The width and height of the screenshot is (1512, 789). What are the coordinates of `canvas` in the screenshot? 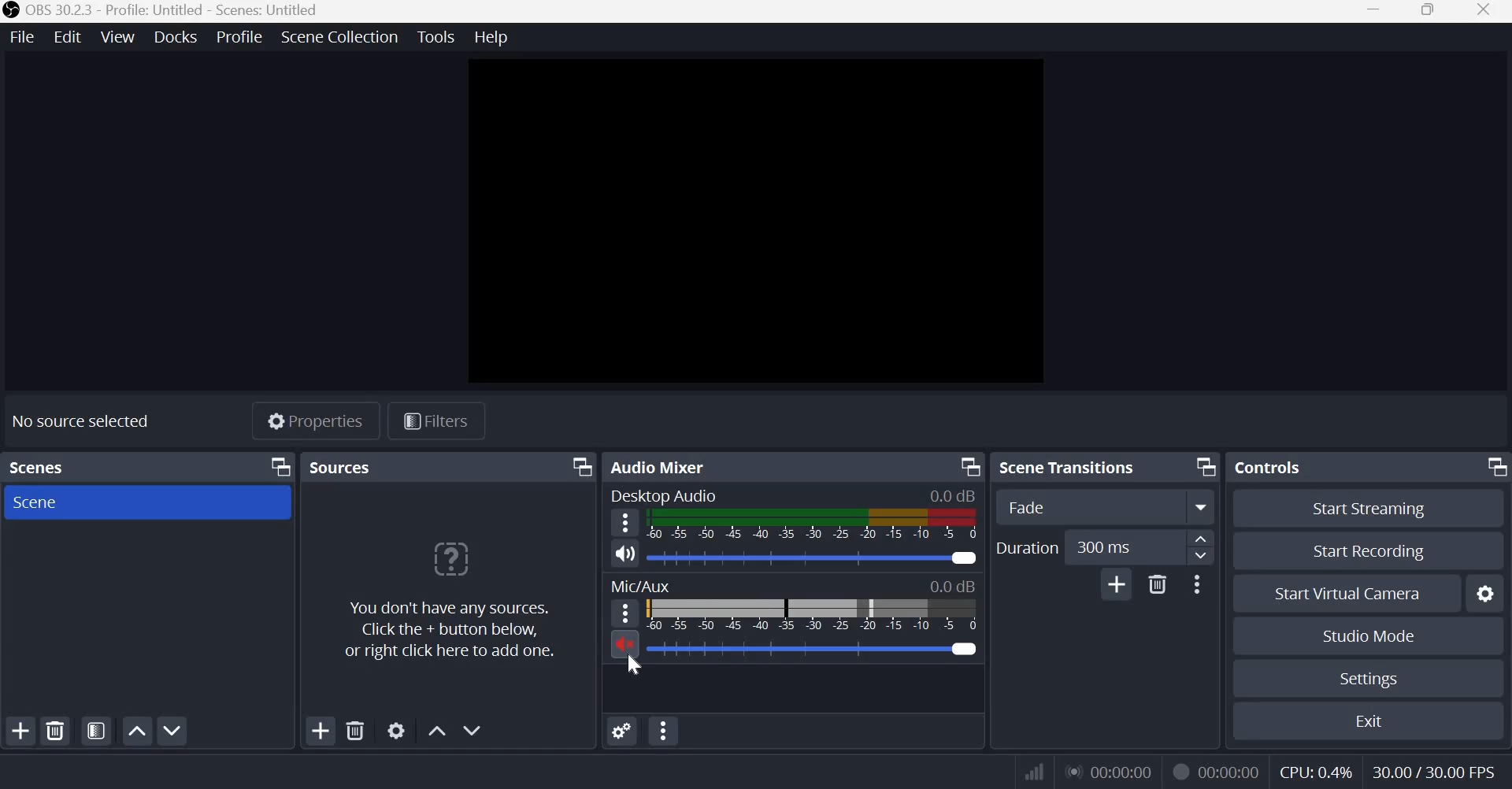 It's located at (762, 219).